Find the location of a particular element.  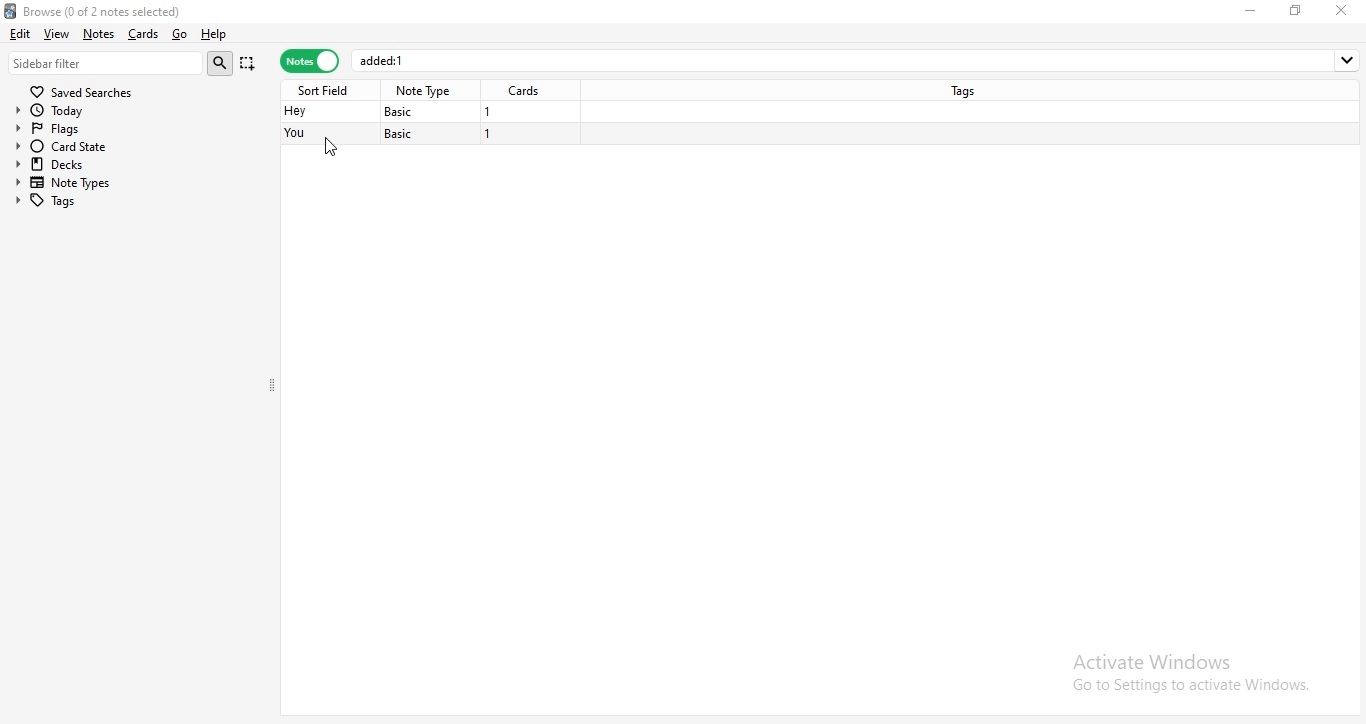

sidebar filter is located at coordinates (106, 62).